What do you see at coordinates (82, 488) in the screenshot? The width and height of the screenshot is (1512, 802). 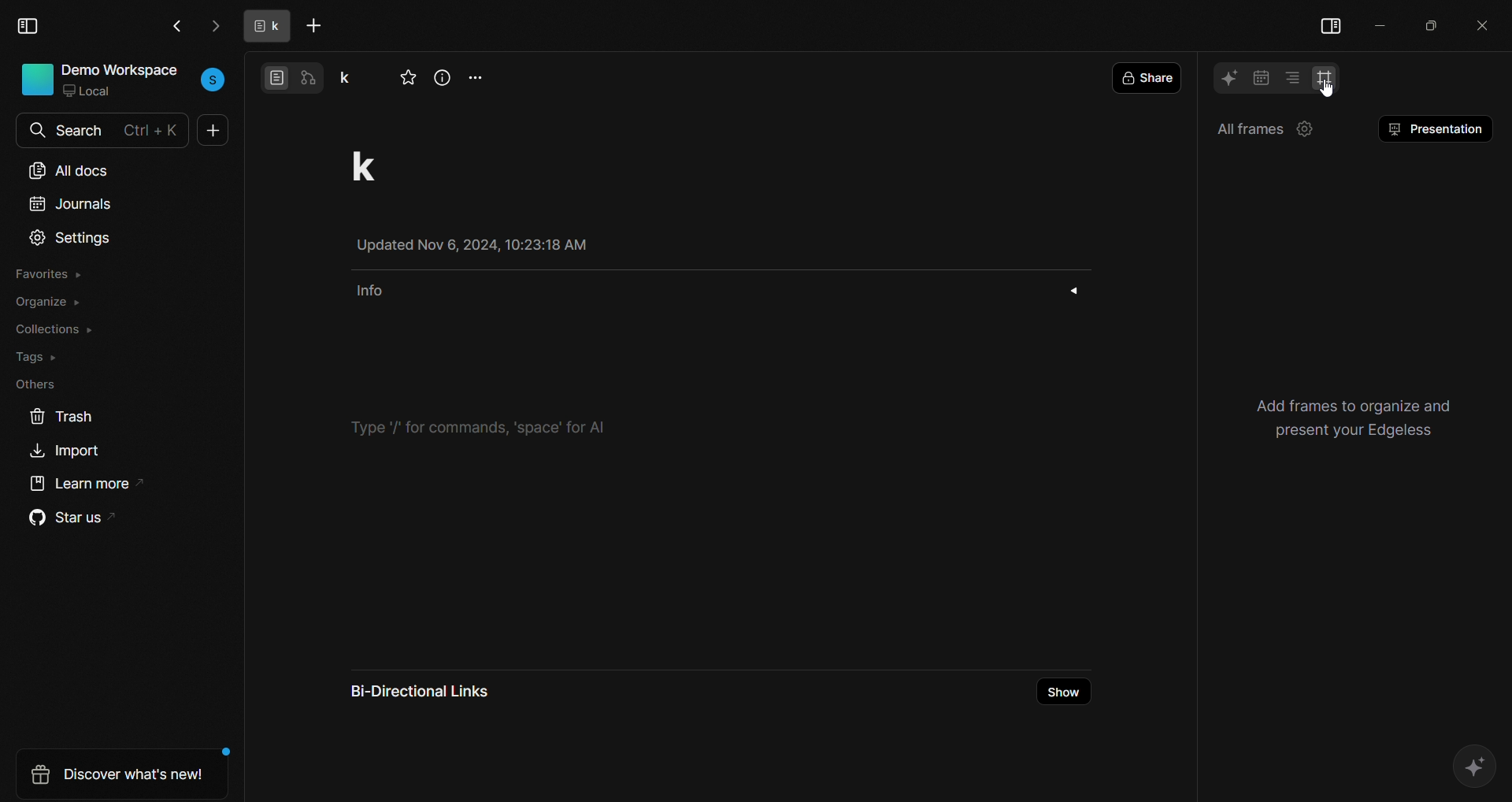 I see `learn more` at bounding box center [82, 488].